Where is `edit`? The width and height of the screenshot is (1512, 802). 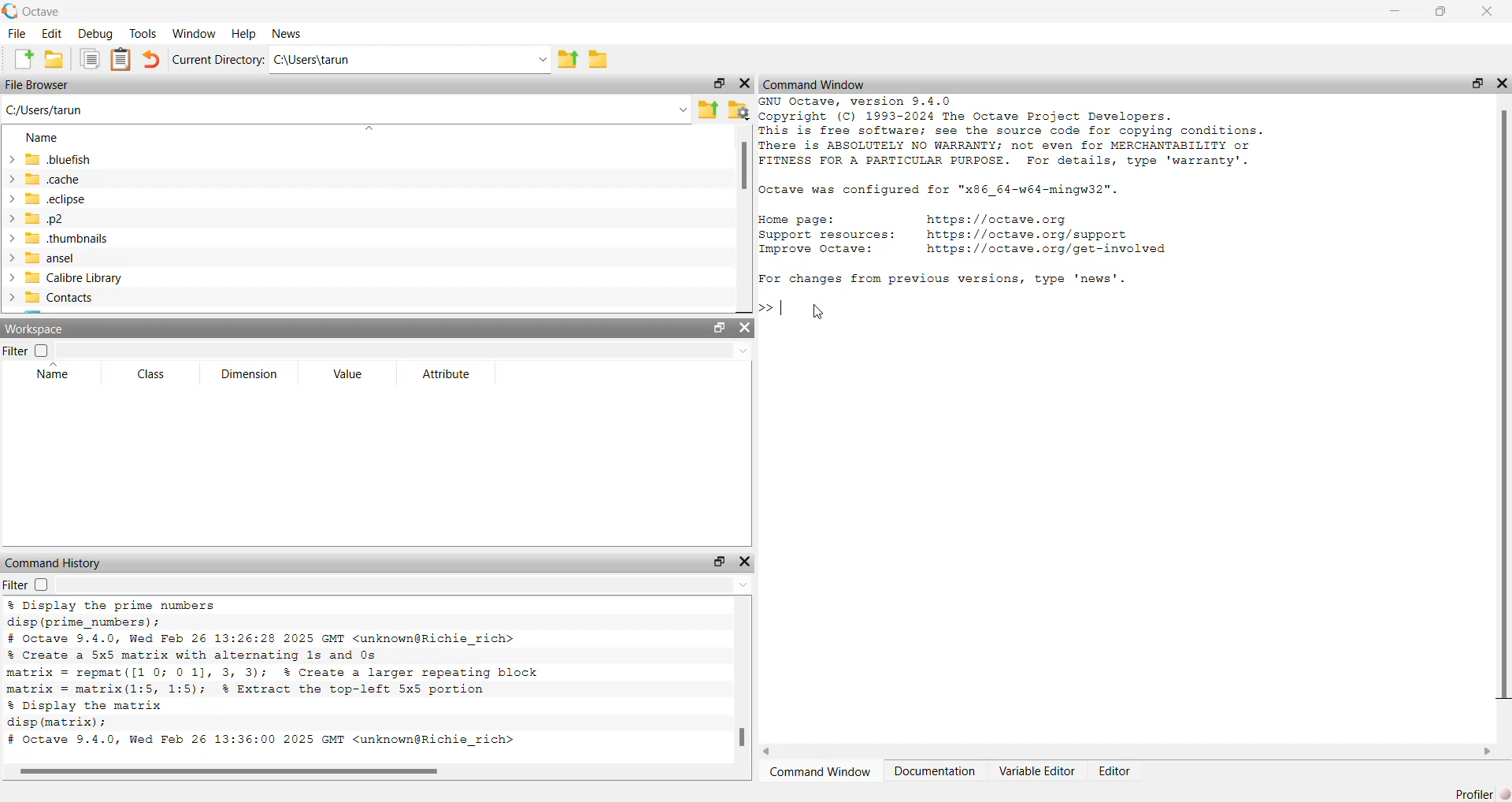 edit is located at coordinates (50, 35).